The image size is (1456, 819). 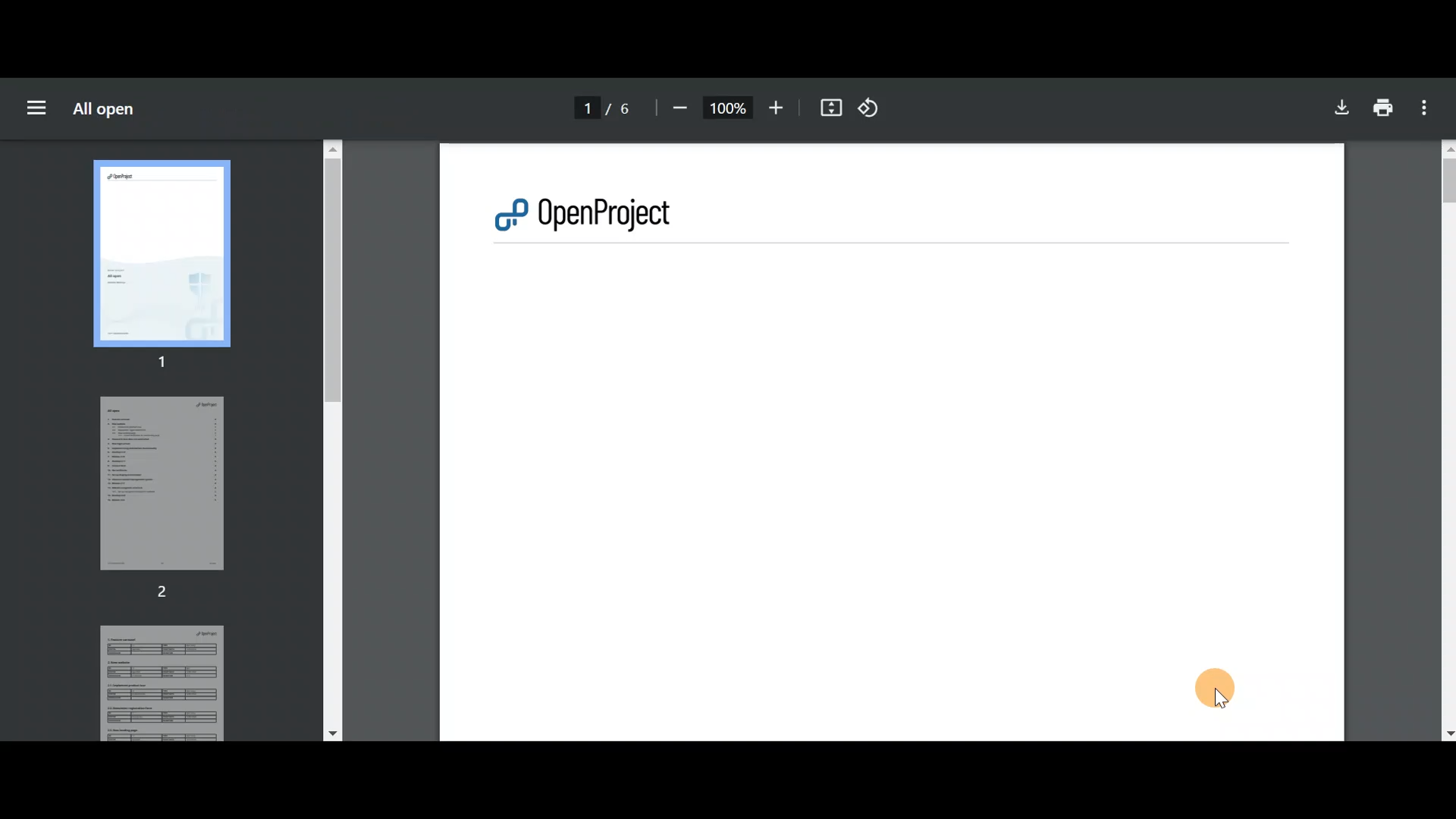 I want to click on Rotate counterclockwise, so click(x=879, y=107).